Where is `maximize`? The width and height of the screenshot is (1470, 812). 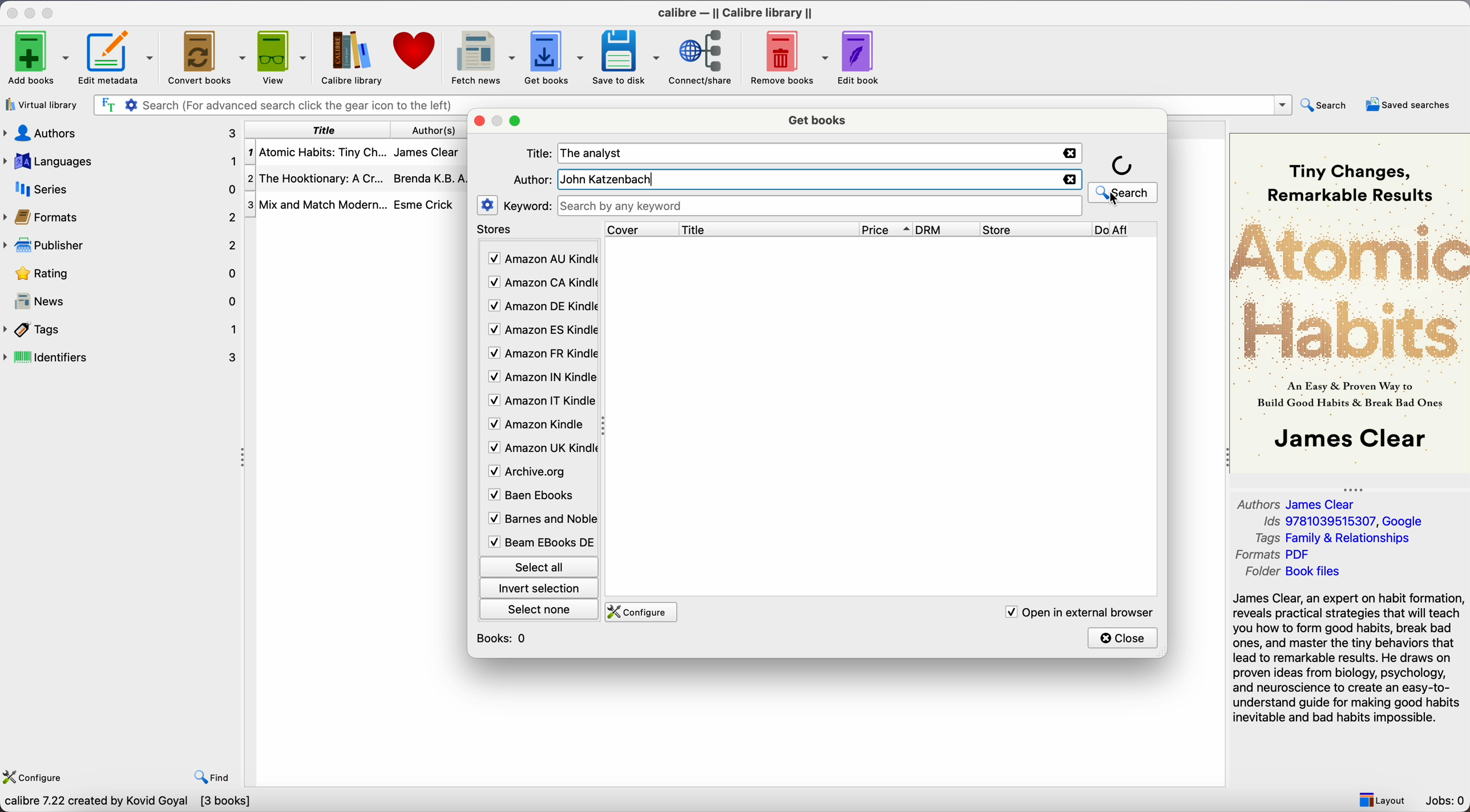 maximize is located at coordinates (515, 123).